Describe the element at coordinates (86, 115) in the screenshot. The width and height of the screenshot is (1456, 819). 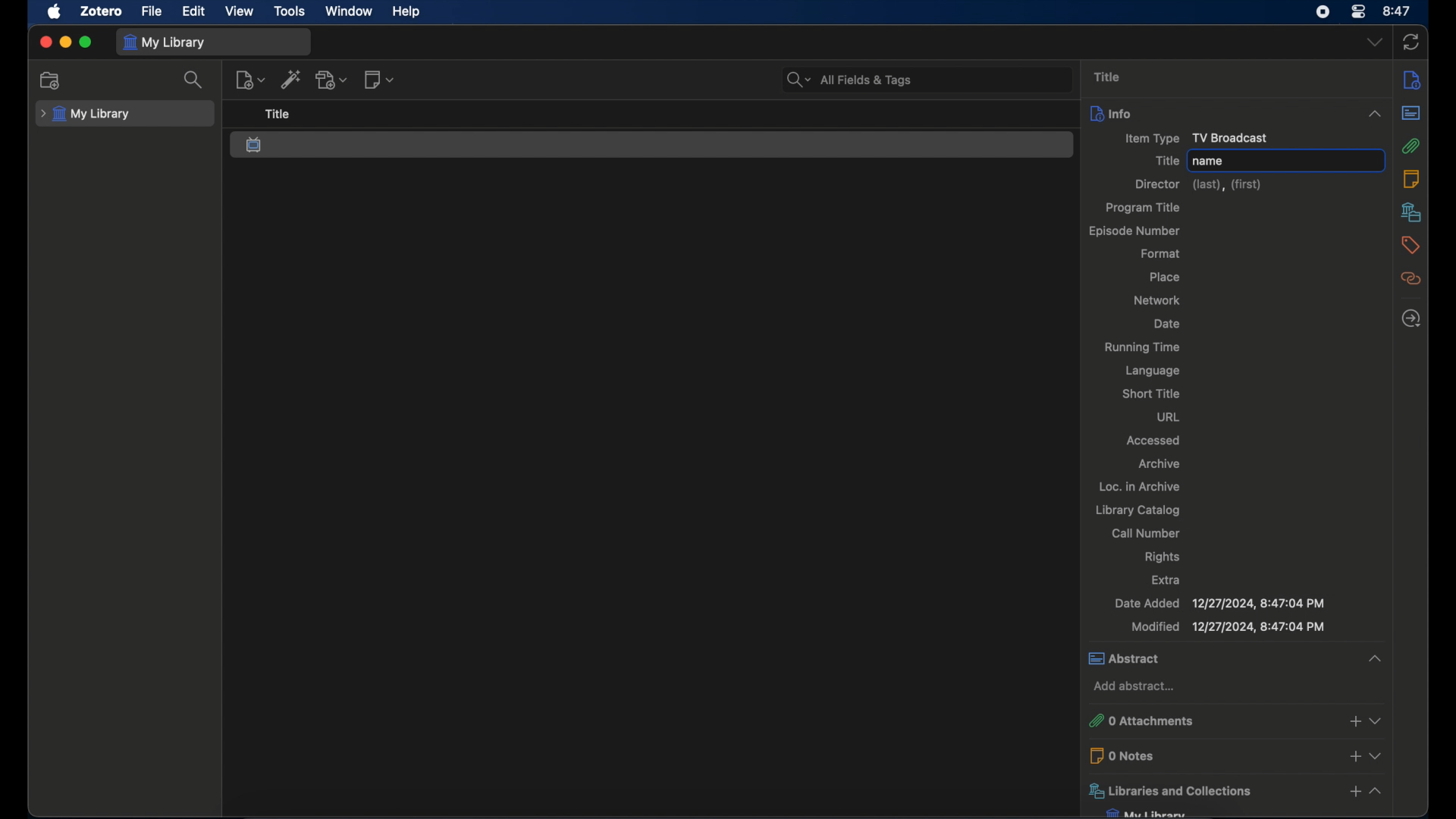
I see `my library` at that location.